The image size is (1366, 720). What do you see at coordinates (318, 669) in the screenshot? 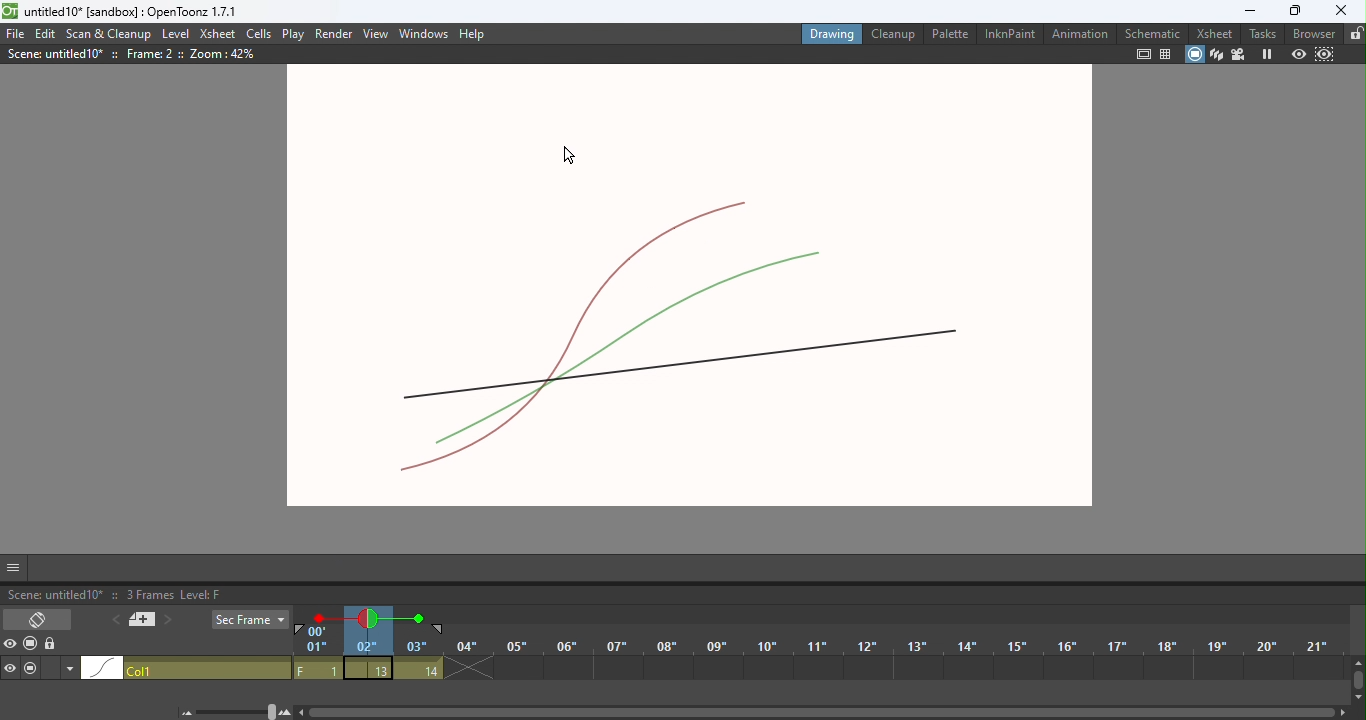
I see `F1` at bounding box center [318, 669].